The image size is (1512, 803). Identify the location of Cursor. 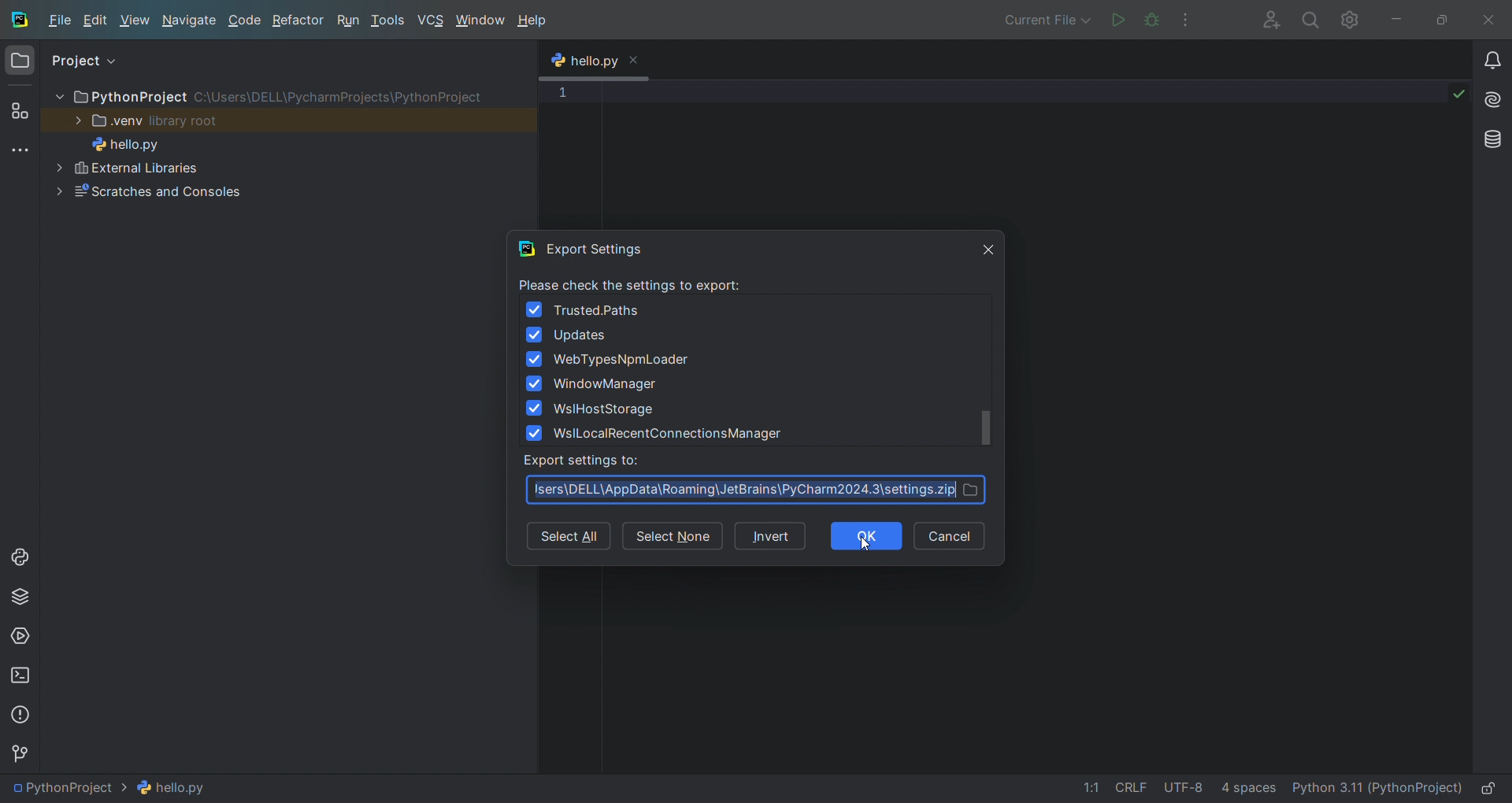
(865, 546).